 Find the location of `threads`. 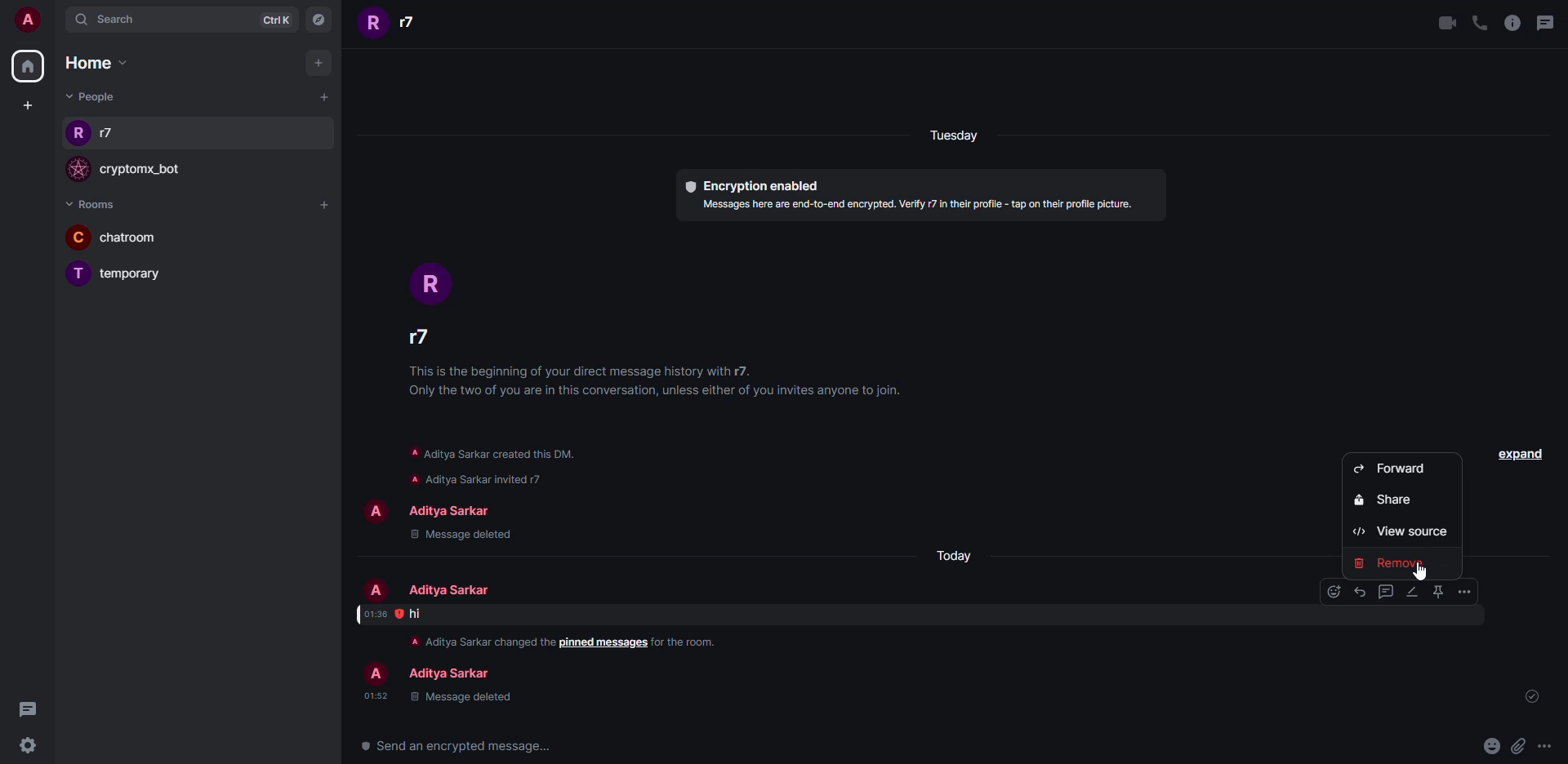

threads is located at coordinates (33, 710).